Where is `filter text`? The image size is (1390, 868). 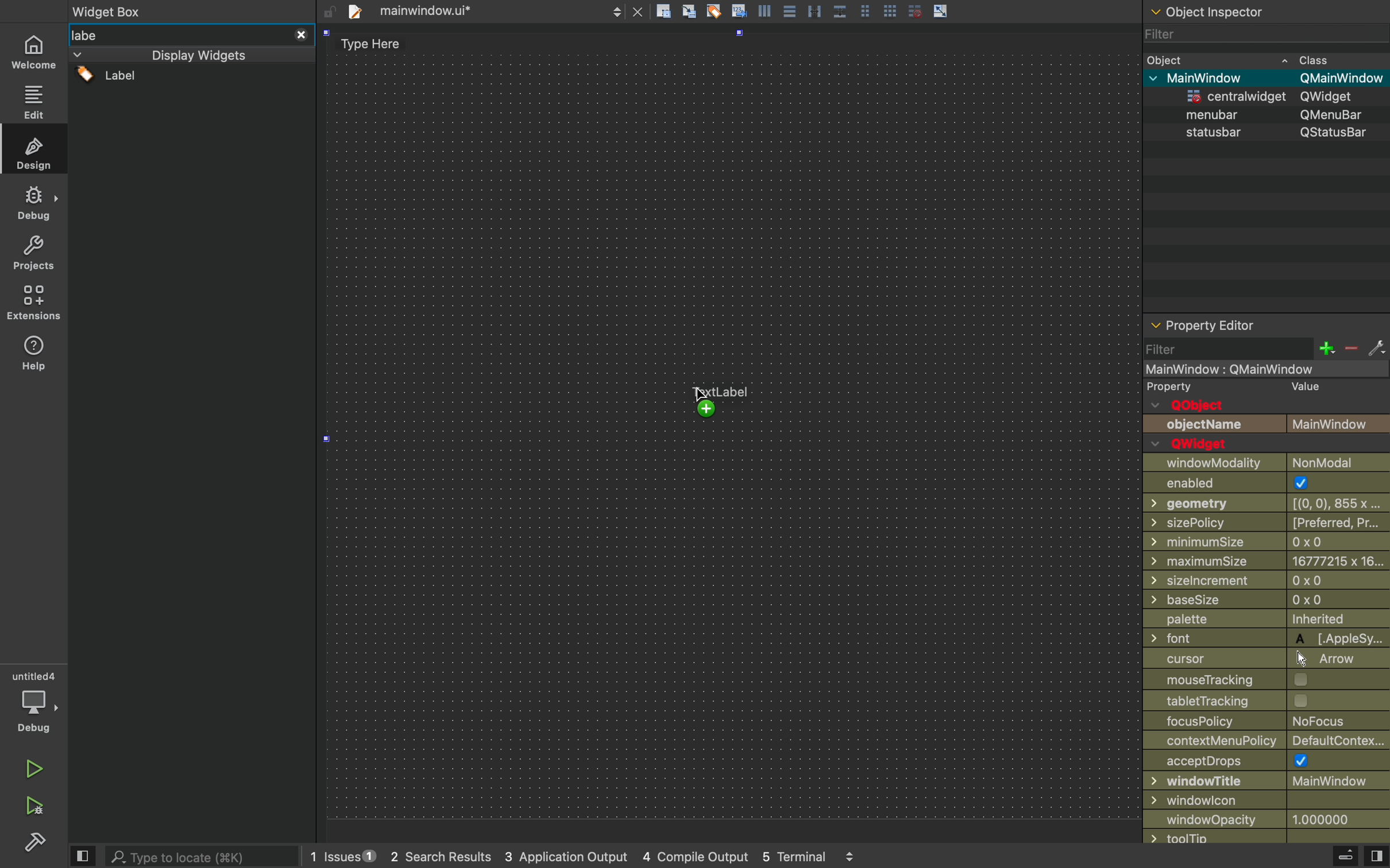 filter text is located at coordinates (188, 35).